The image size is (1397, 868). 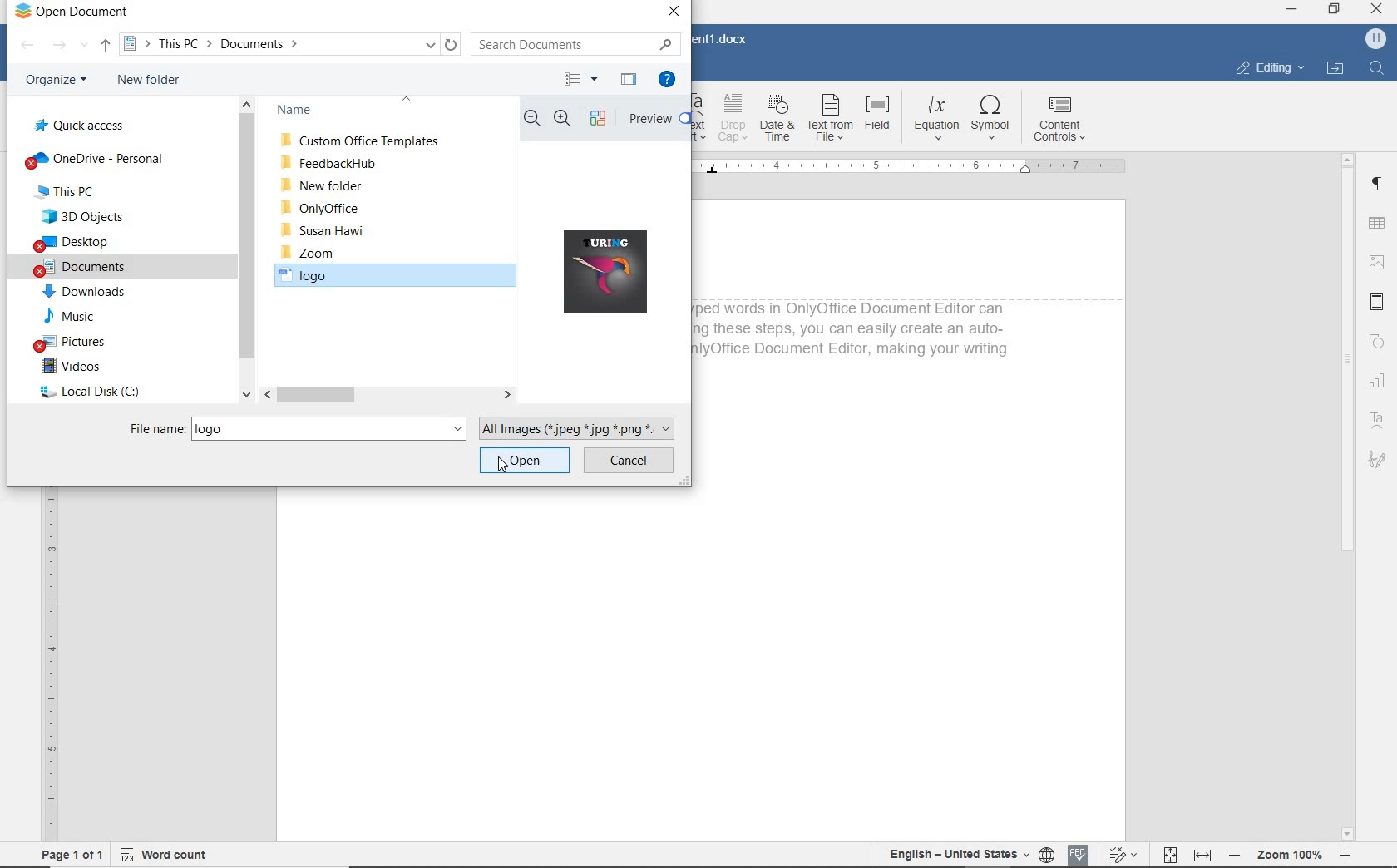 What do you see at coordinates (81, 217) in the screenshot?
I see `3D OBJECTS` at bounding box center [81, 217].